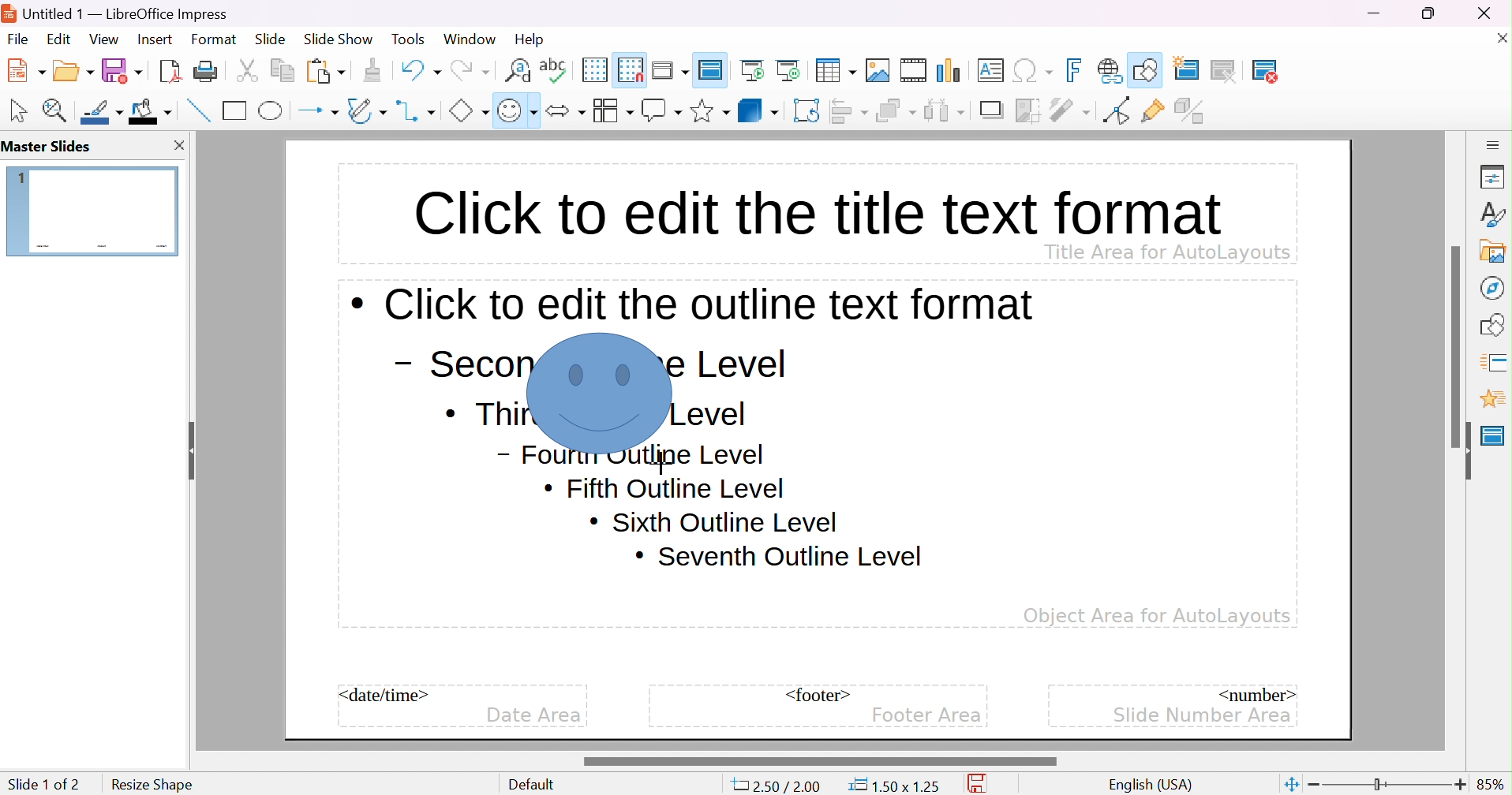 The image size is (1512, 795). Describe the element at coordinates (601, 393) in the screenshot. I see `symbol` at that location.